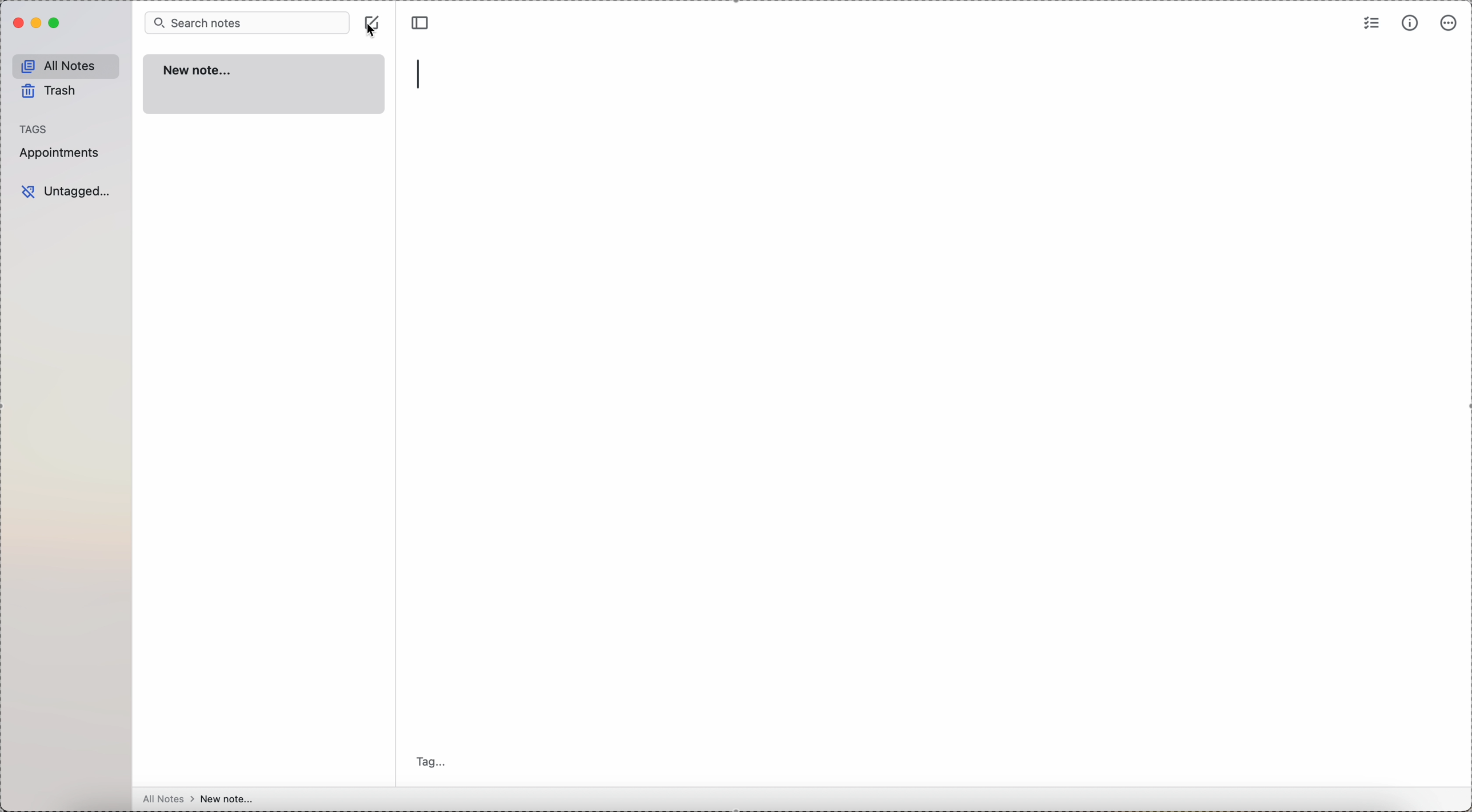 The image size is (1472, 812). I want to click on tag, so click(434, 763).